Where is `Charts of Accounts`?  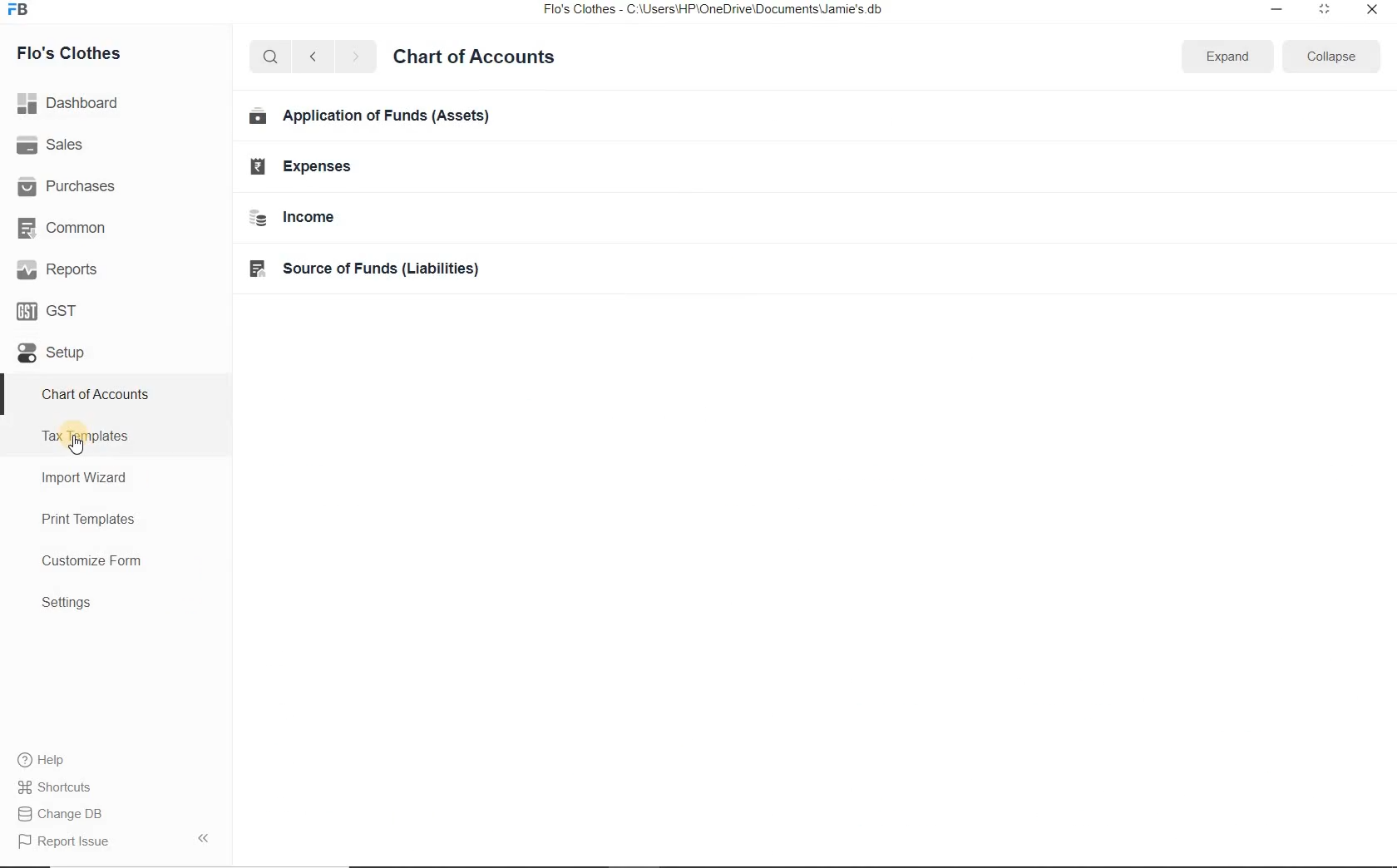
Charts of Accounts is located at coordinates (473, 56).